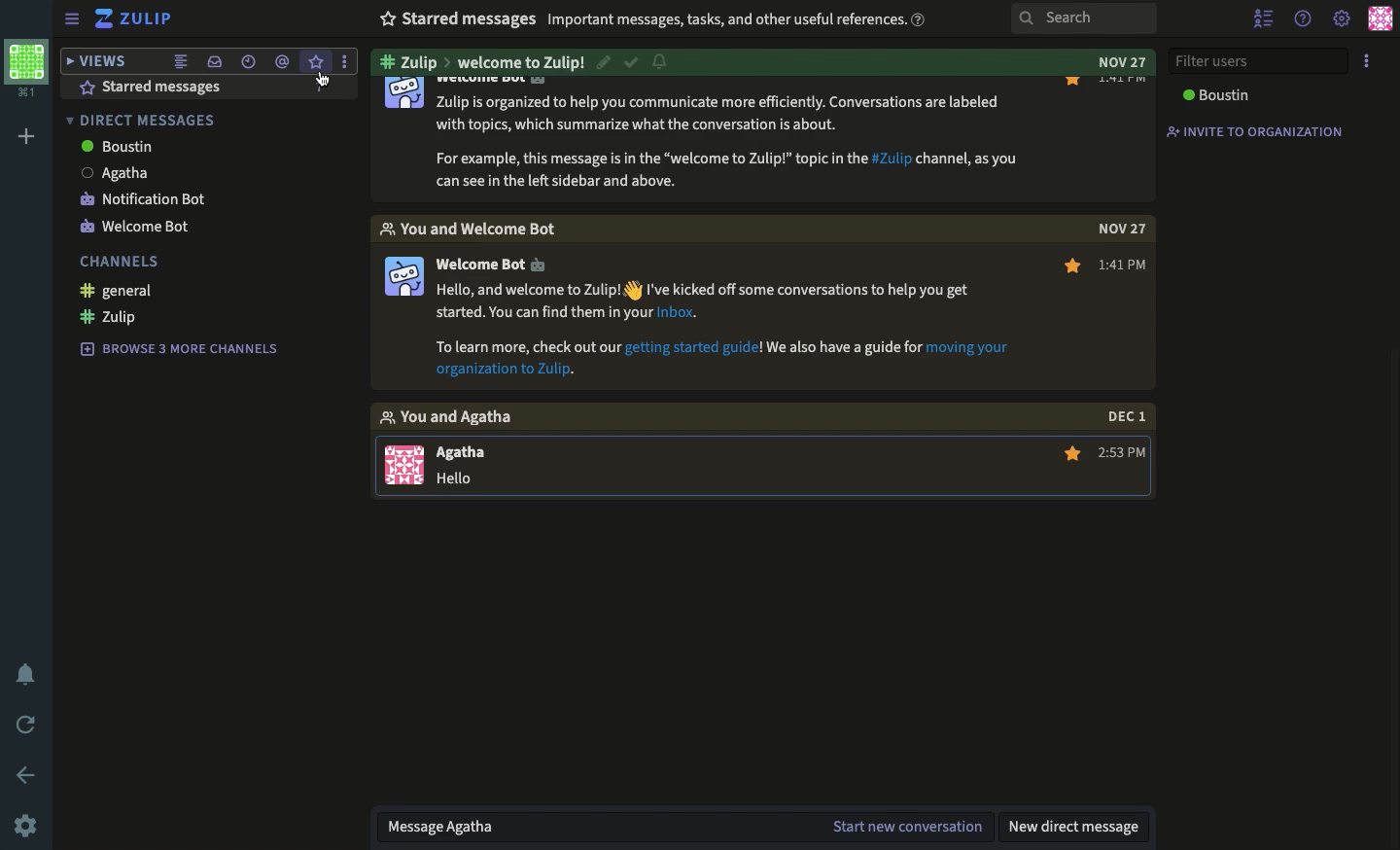 The image size is (1400, 850). I want to click on zulip, so click(485, 61).